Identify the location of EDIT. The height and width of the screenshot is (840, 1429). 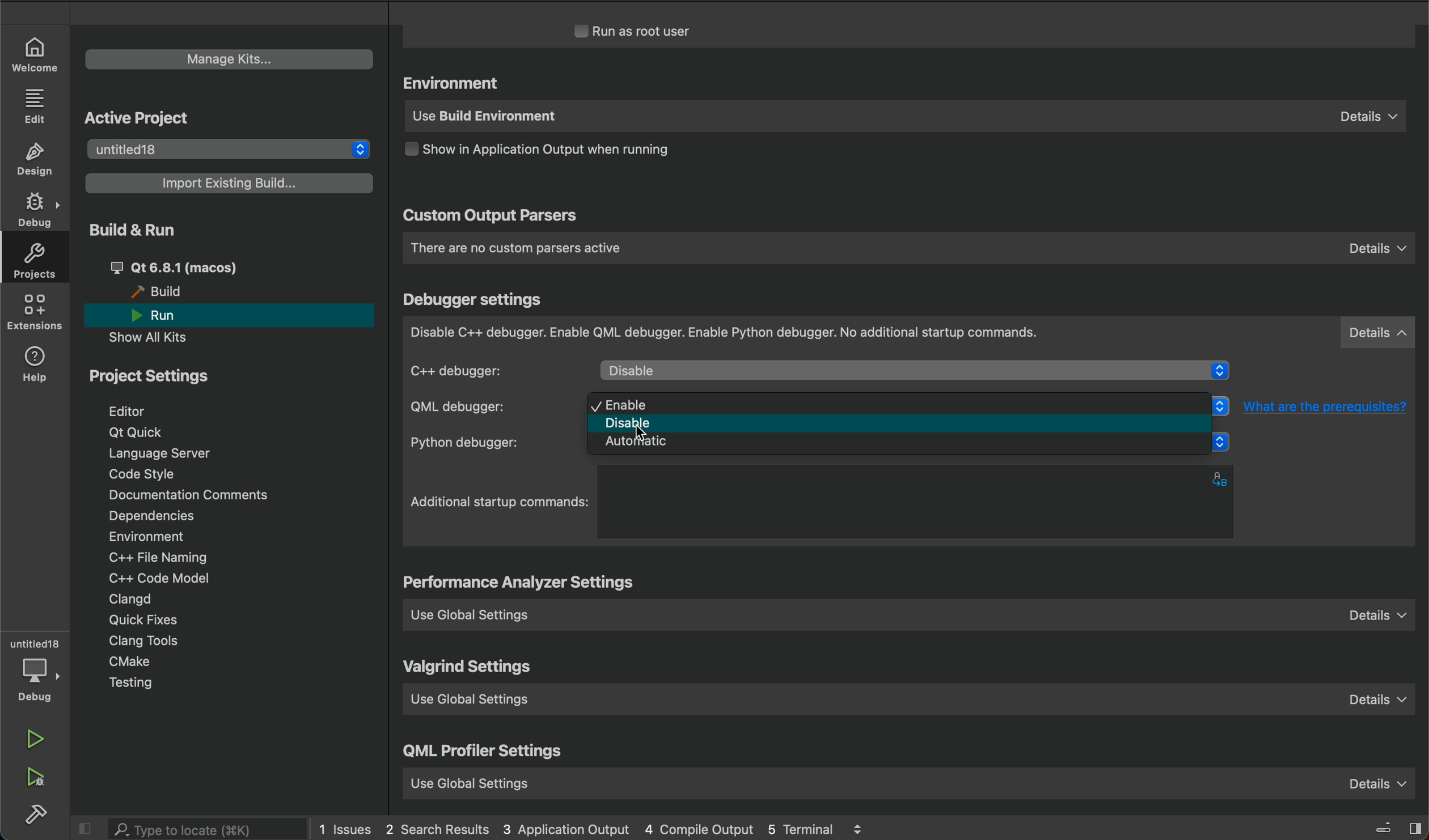
(37, 105).